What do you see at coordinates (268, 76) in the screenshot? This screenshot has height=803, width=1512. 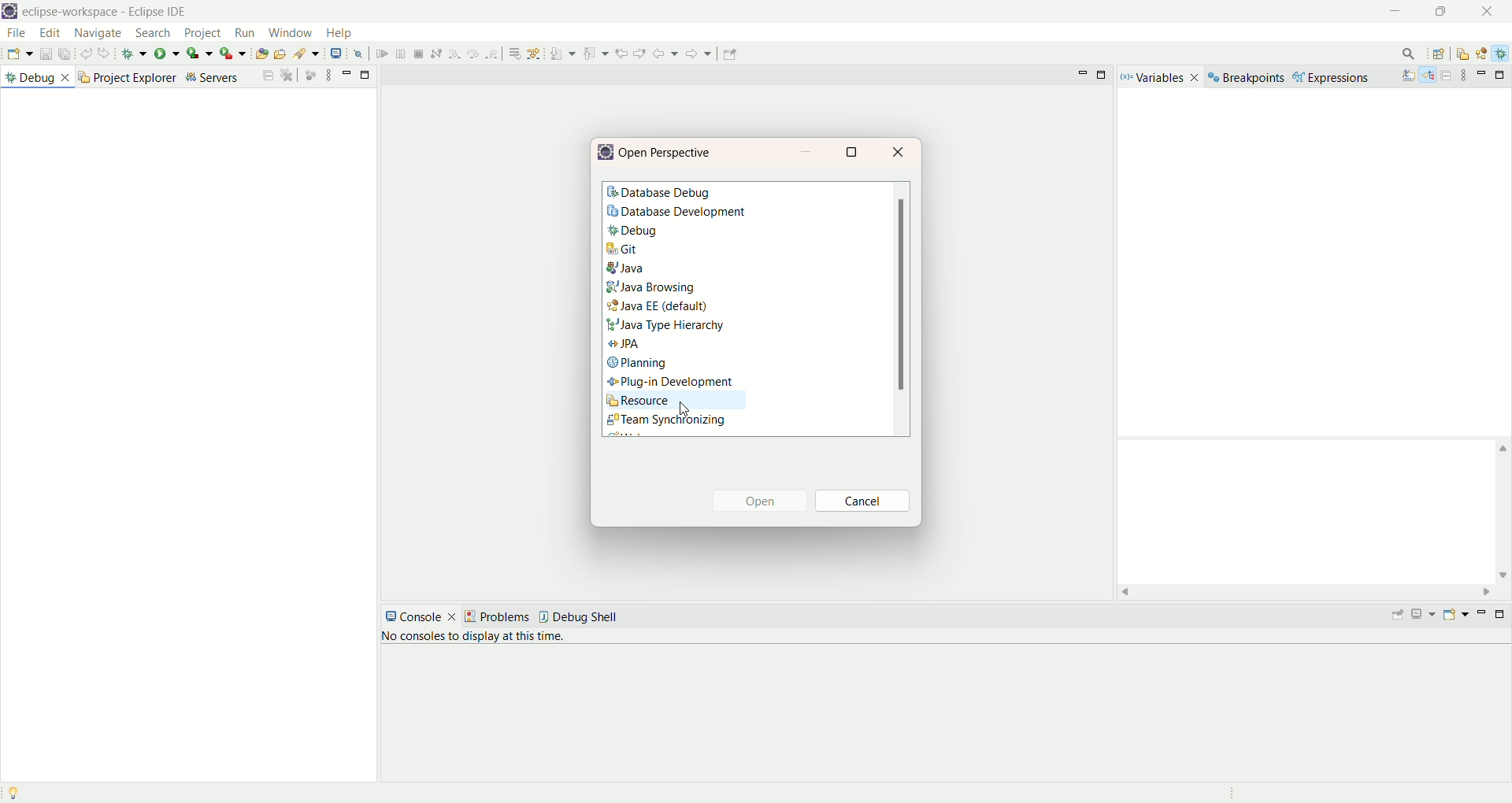 I see `collapse all` at bounding box center [268, 76].